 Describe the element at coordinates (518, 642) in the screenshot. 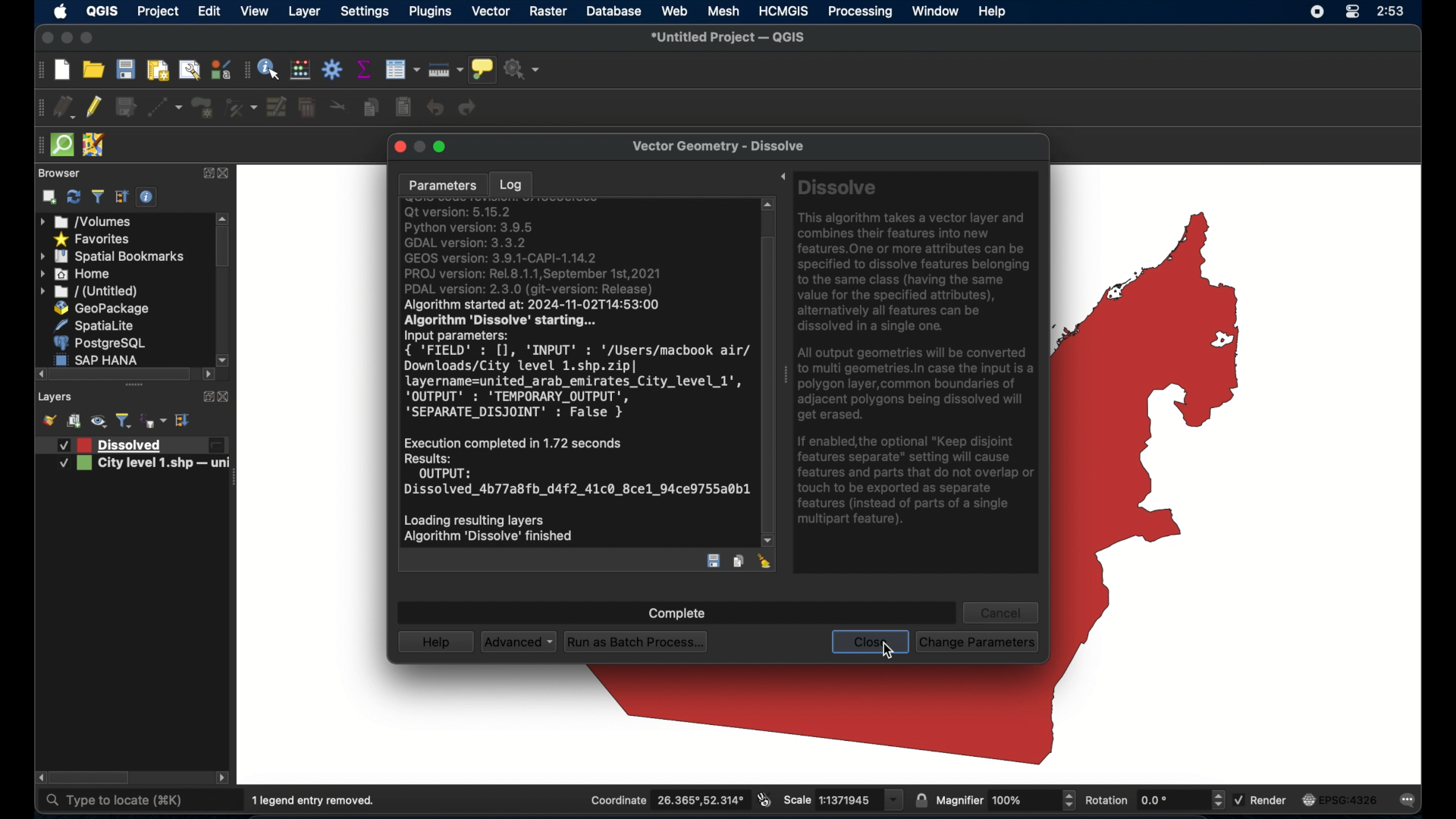

I see `advanced` at that location.